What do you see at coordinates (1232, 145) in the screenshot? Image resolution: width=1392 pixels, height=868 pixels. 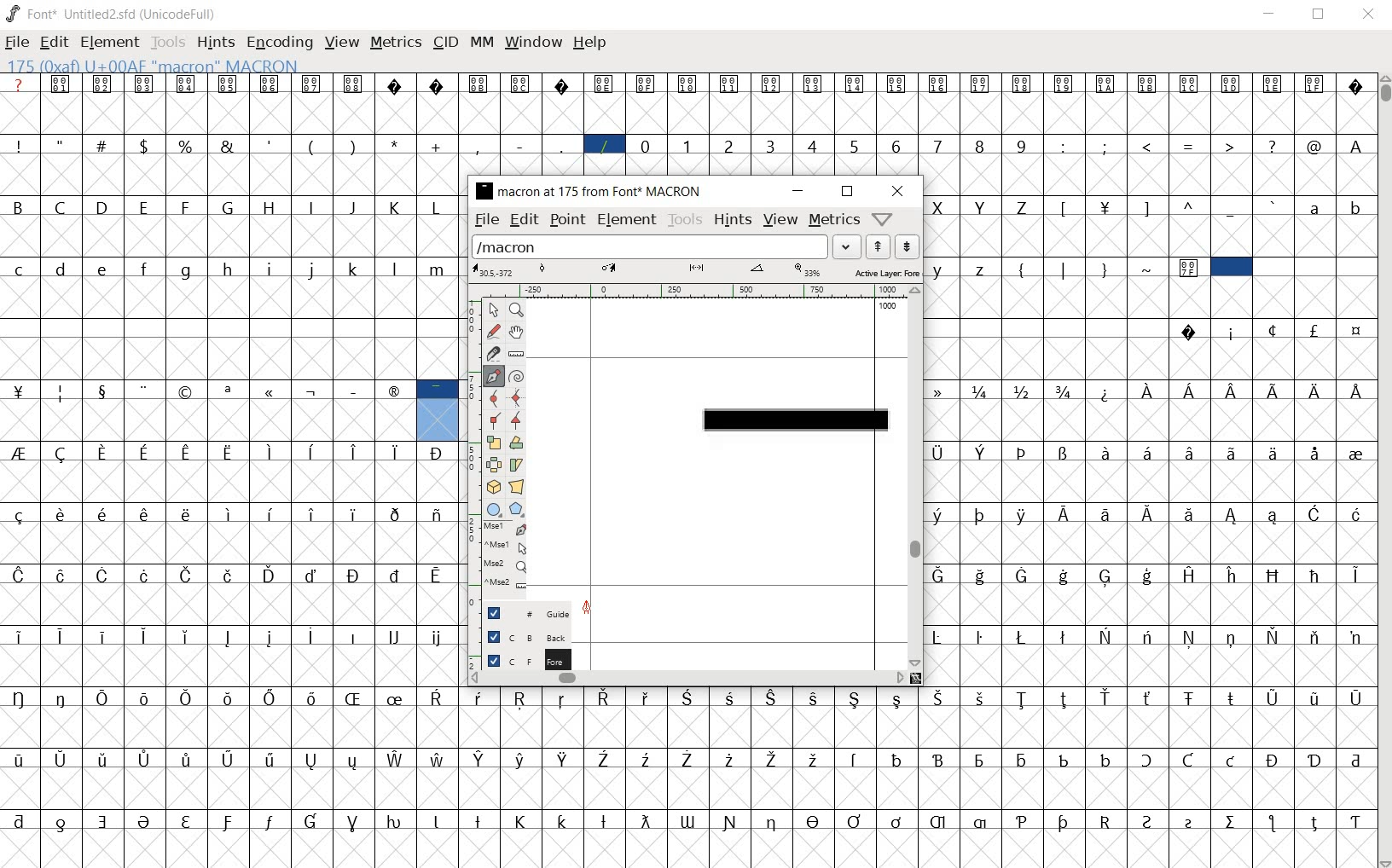 I see `>` at bounding box center [1232, 145].